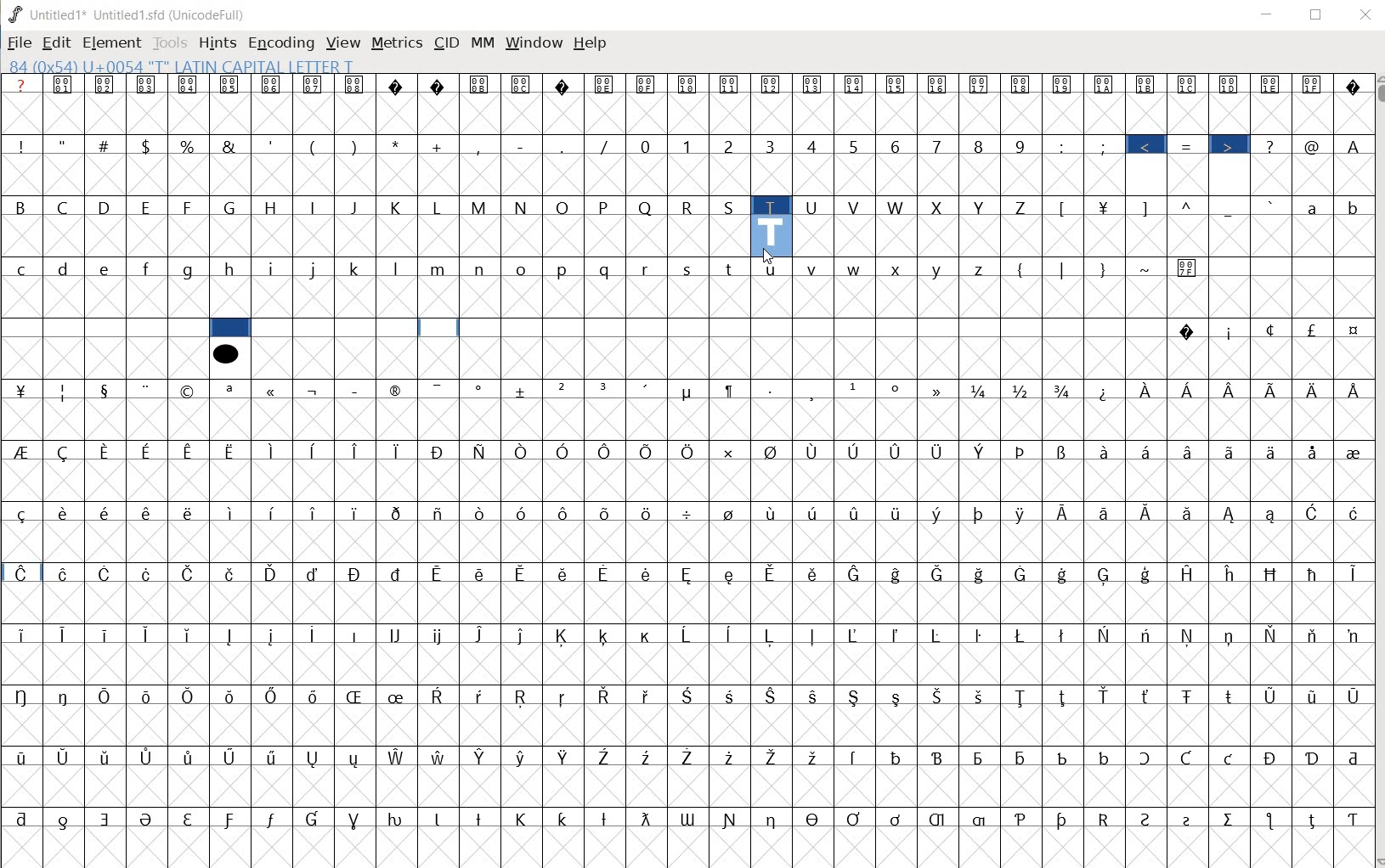 The image size is (1385, 868). I want to click on t, so click(731, 268).